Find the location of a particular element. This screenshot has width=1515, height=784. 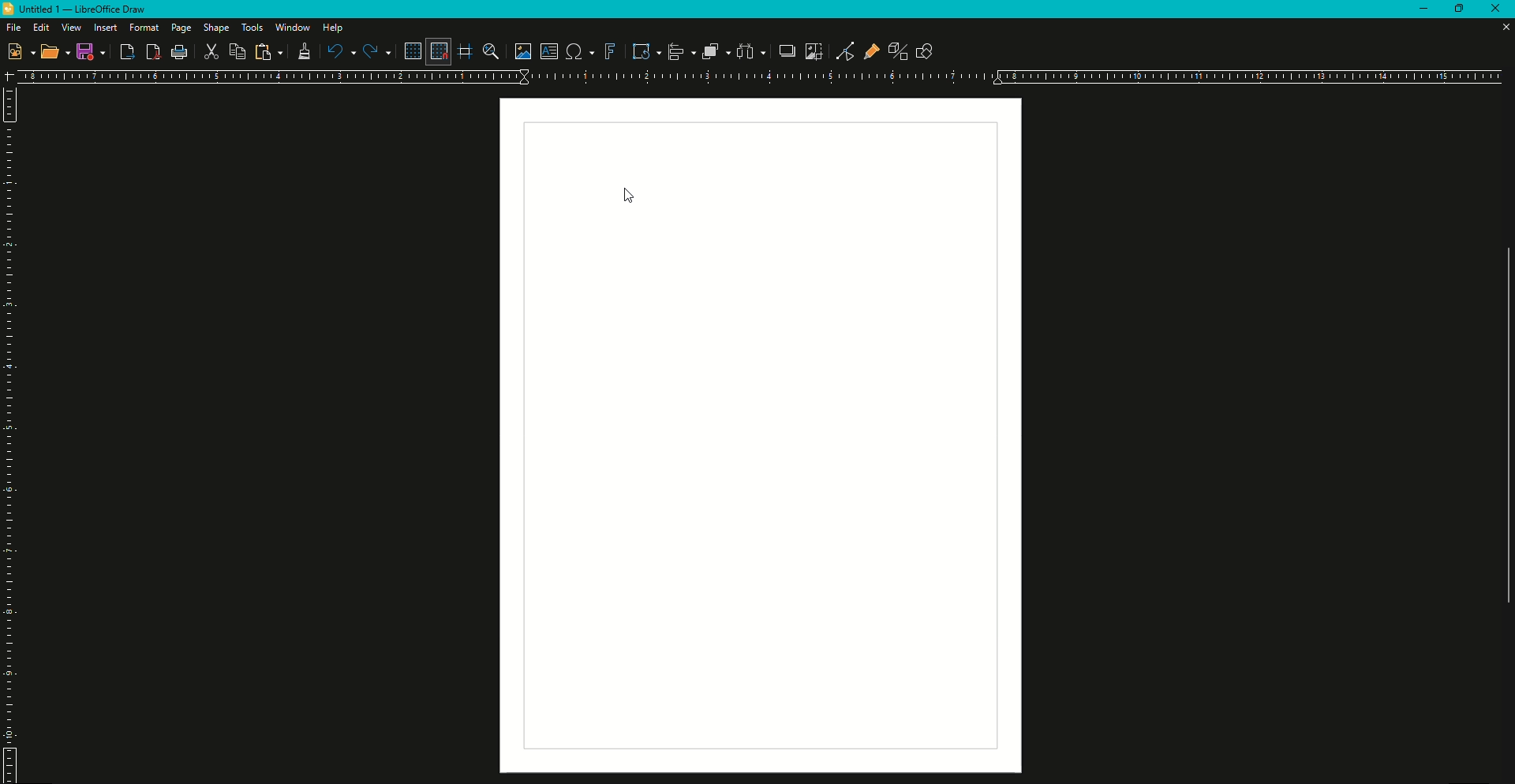

Shadow is located at coordinates (785, 51).